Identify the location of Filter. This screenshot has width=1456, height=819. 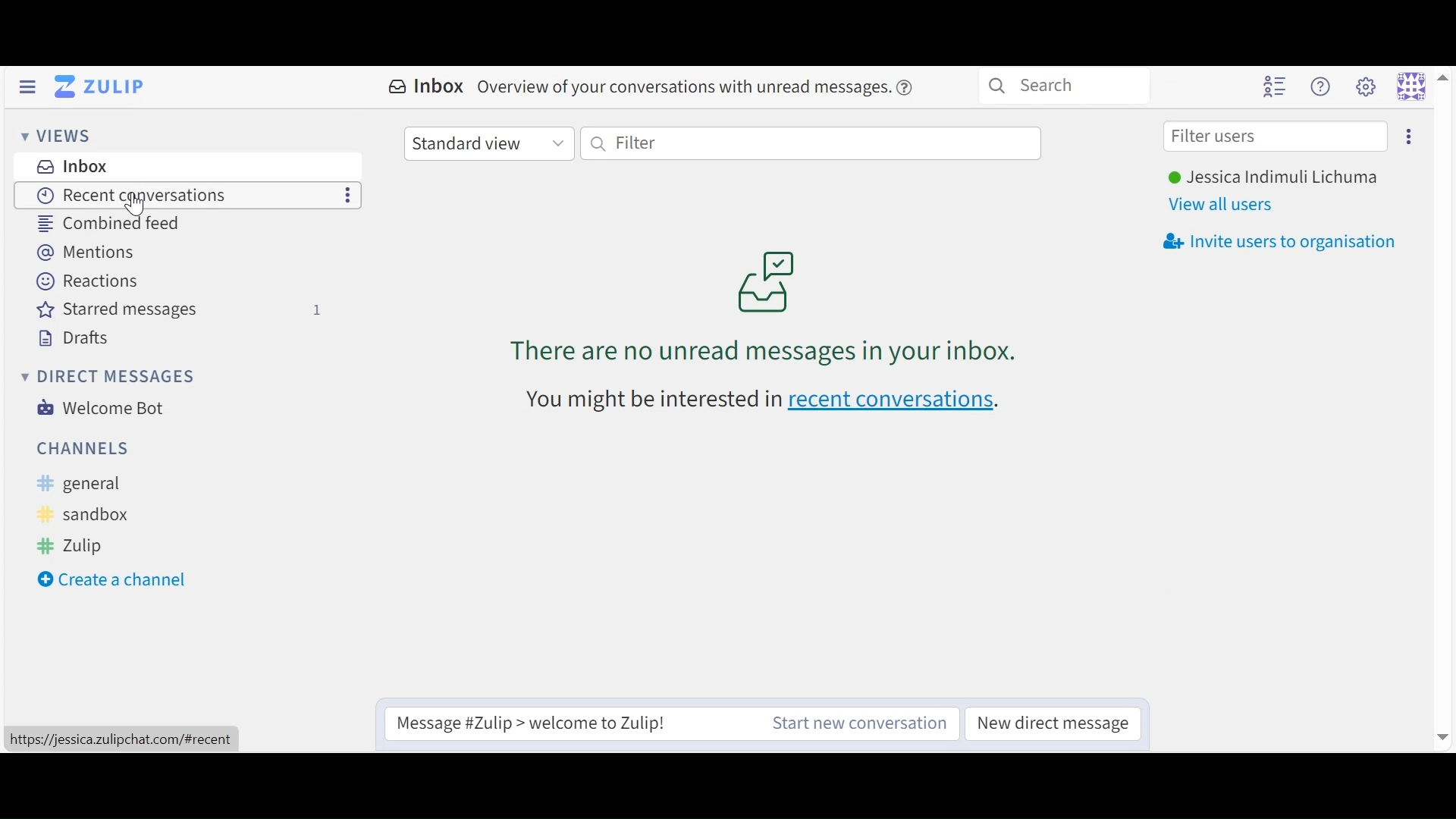
(816, 143).